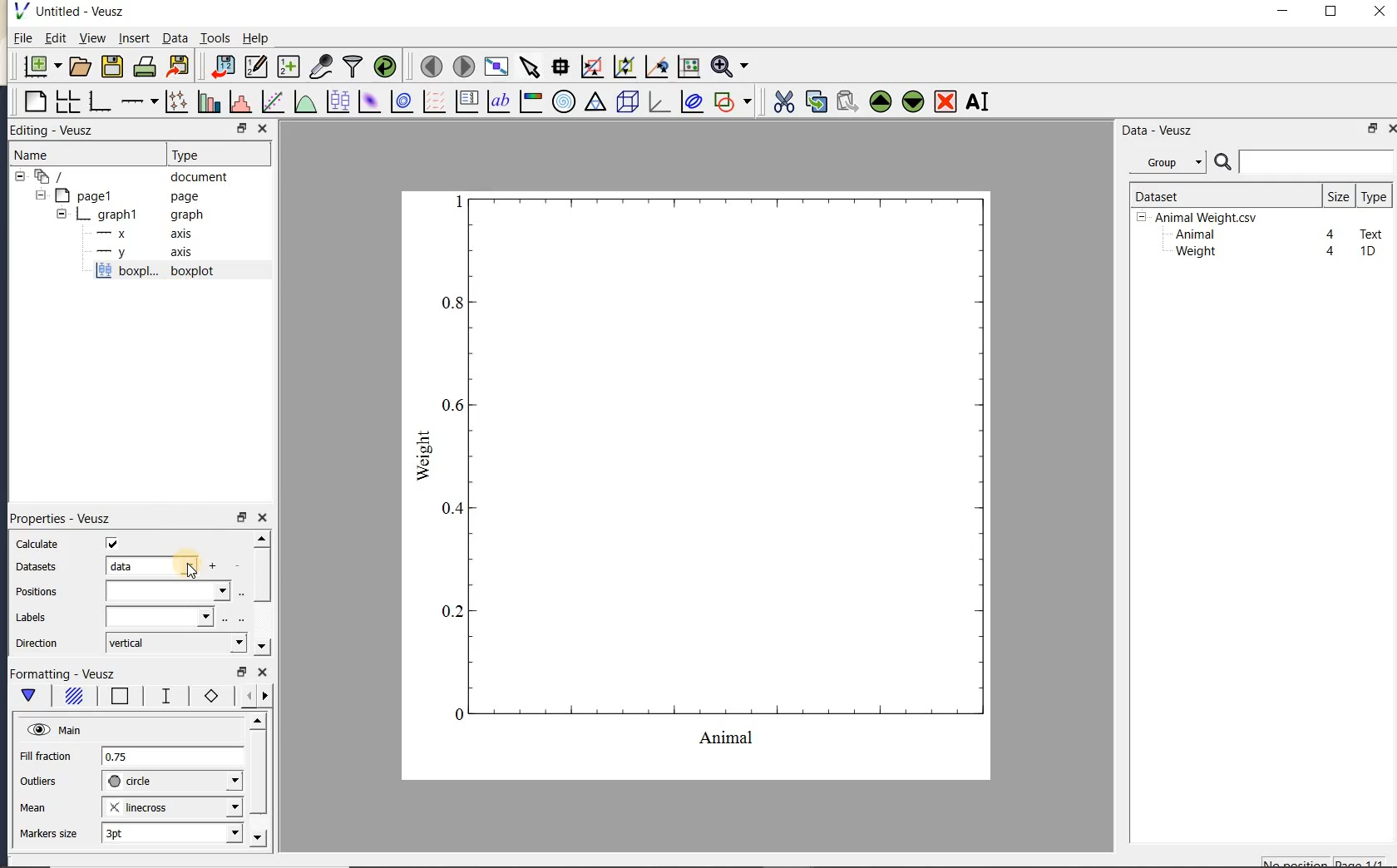 Image resolution: width=1397 pixels, height=868 pixels. I want to click on Data - Veusz, so click(1172, 163).